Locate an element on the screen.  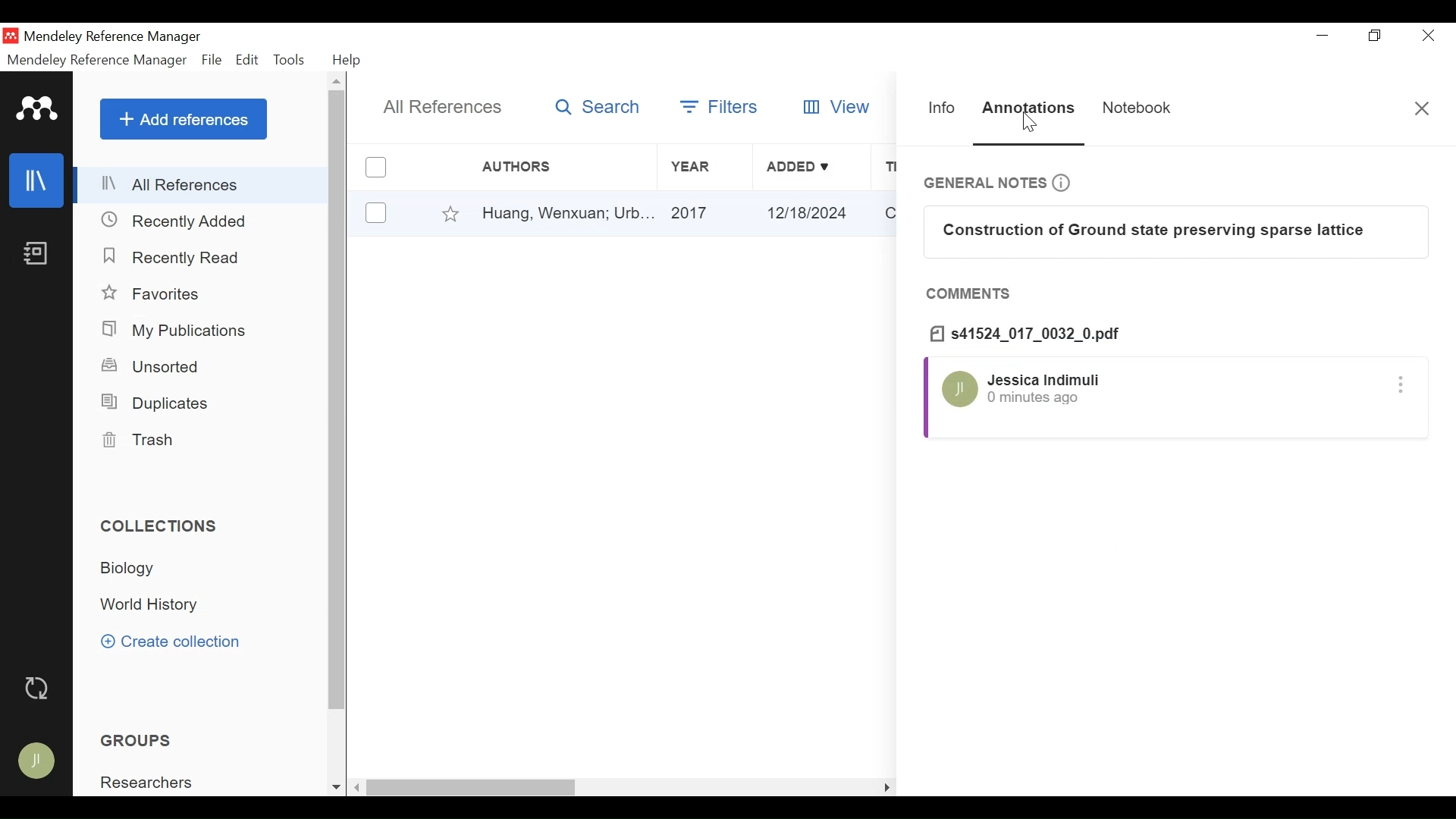
Collections is located at coordinates (162, 525).